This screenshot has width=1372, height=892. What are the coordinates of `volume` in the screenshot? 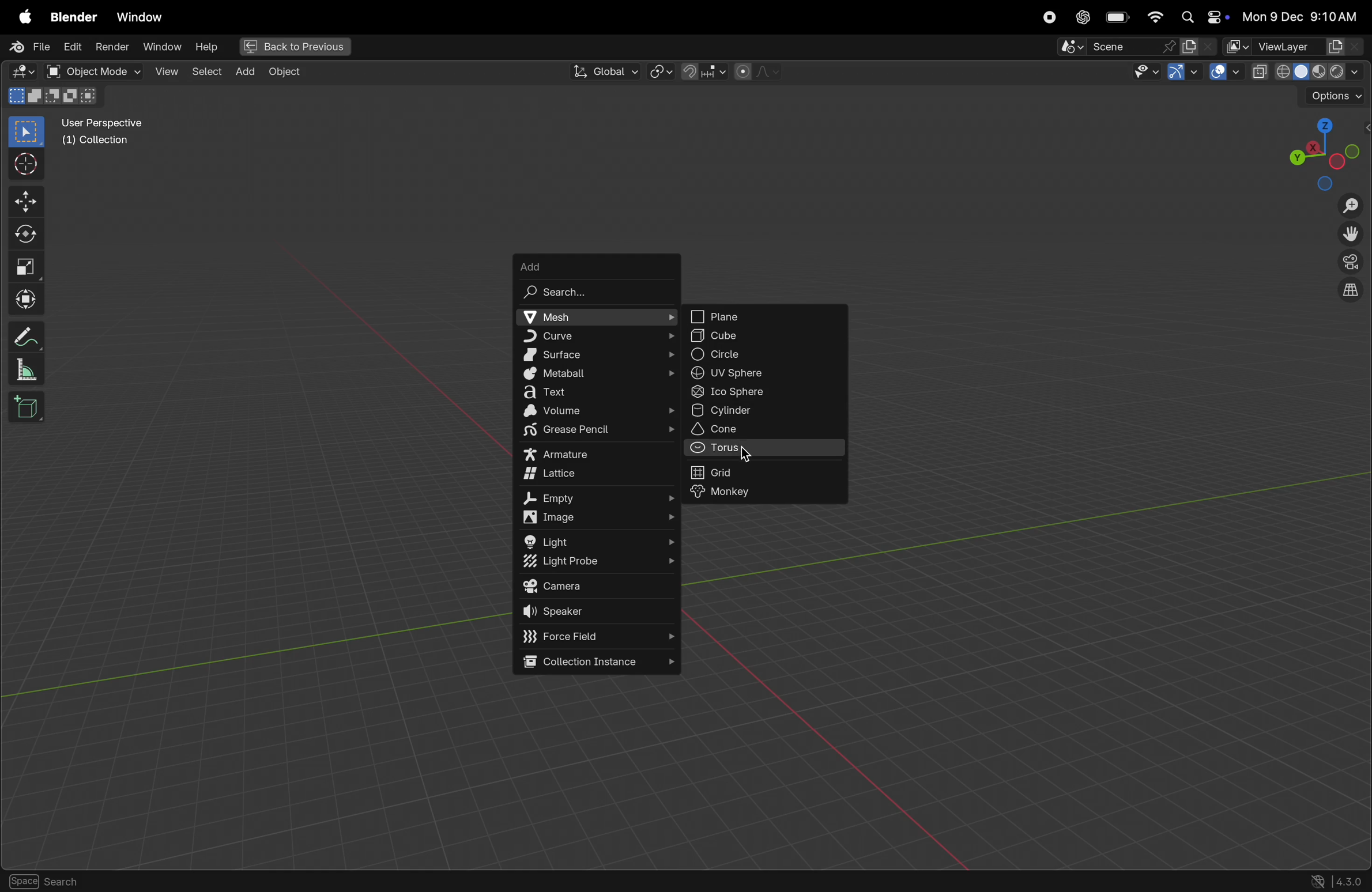 It's located at (601, 412).